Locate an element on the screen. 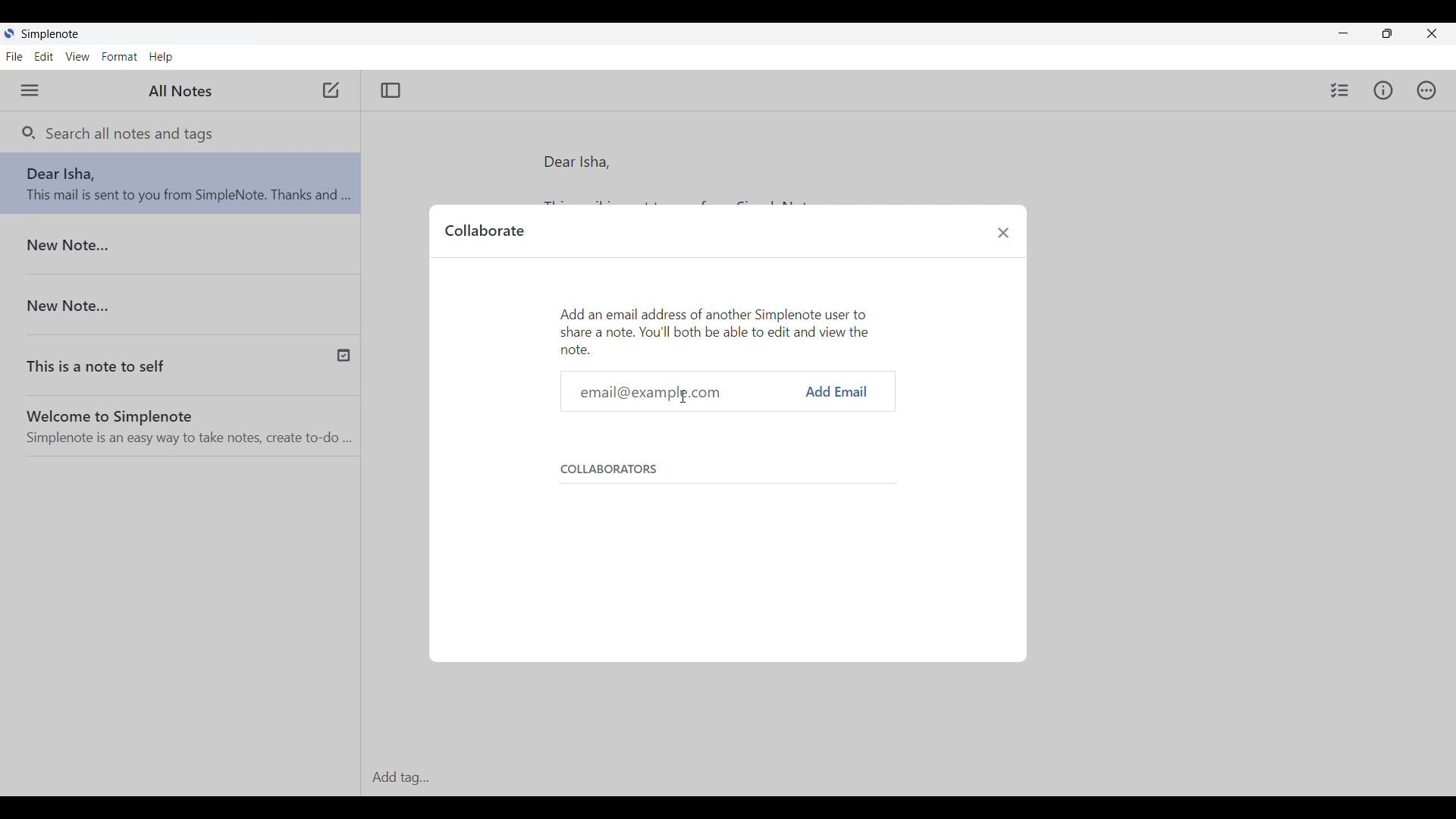 The height and width of the screenshot is (819, 1456). New Note.. is located at coordinates (179, 247).